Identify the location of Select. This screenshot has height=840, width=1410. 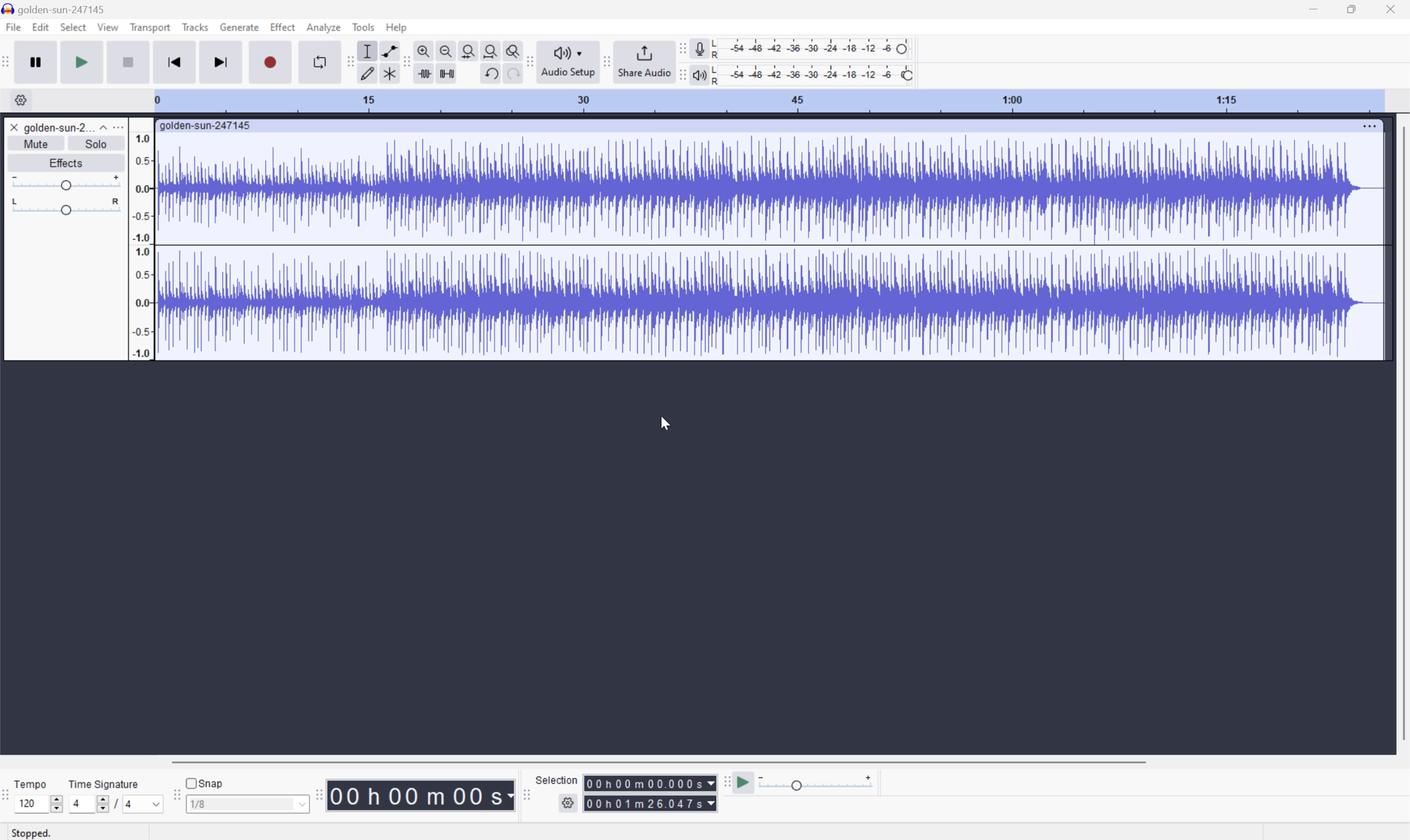
(73, 26).